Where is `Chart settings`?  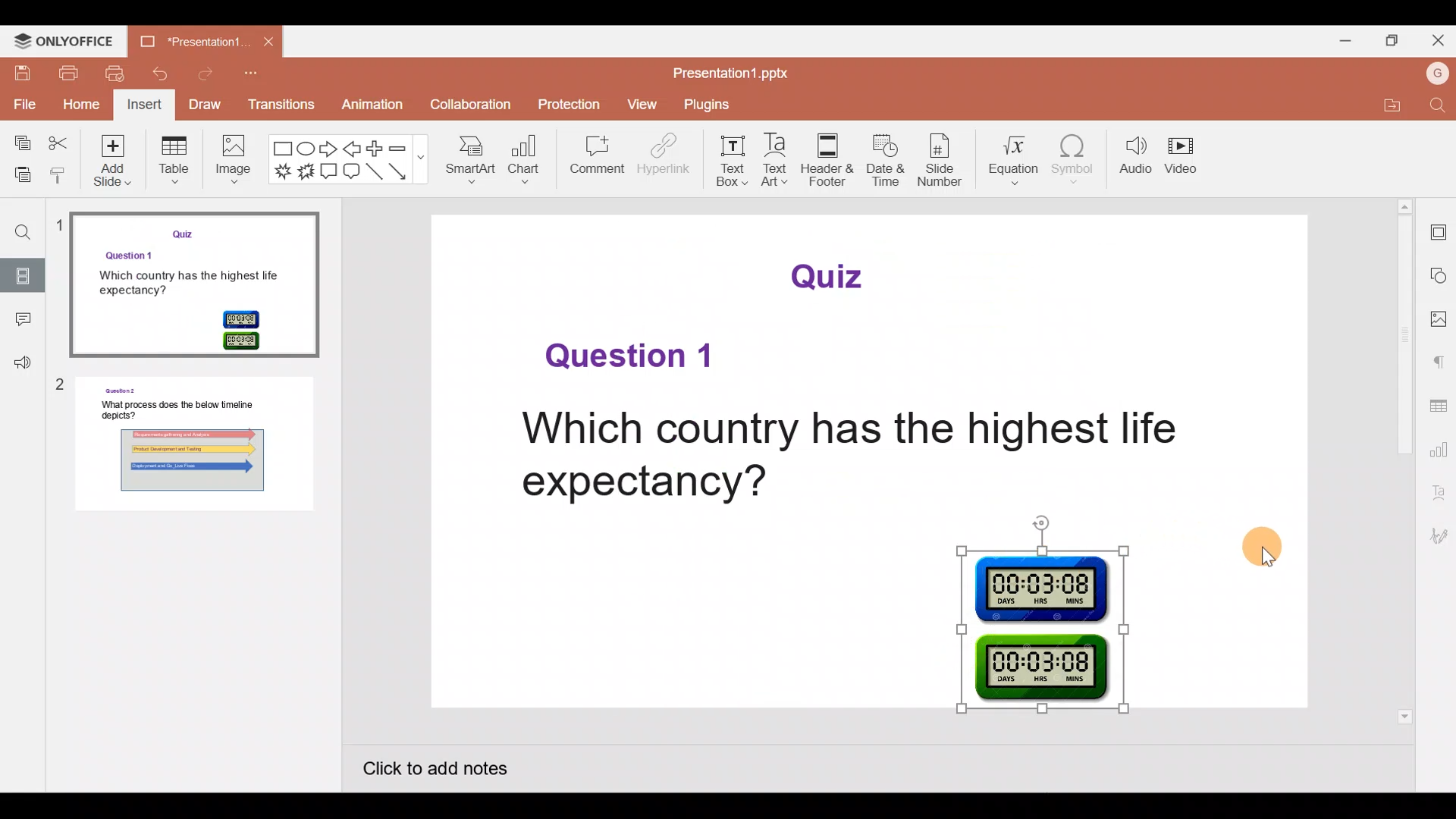 Chart settings is located at coordinates (1439, 450).